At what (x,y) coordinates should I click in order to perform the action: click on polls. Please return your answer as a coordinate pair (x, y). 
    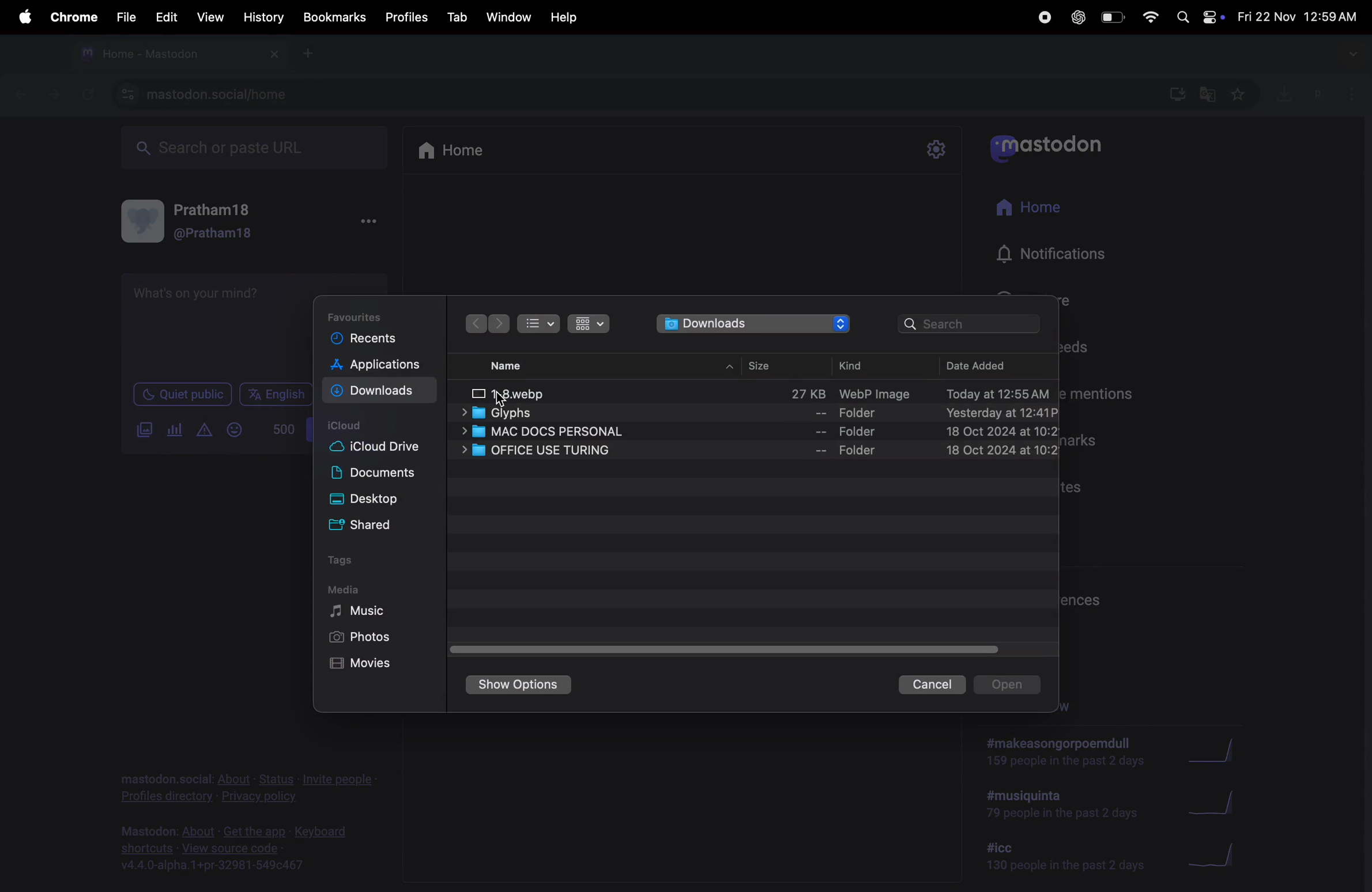
    Looking at the image, I should click on (174, 430).